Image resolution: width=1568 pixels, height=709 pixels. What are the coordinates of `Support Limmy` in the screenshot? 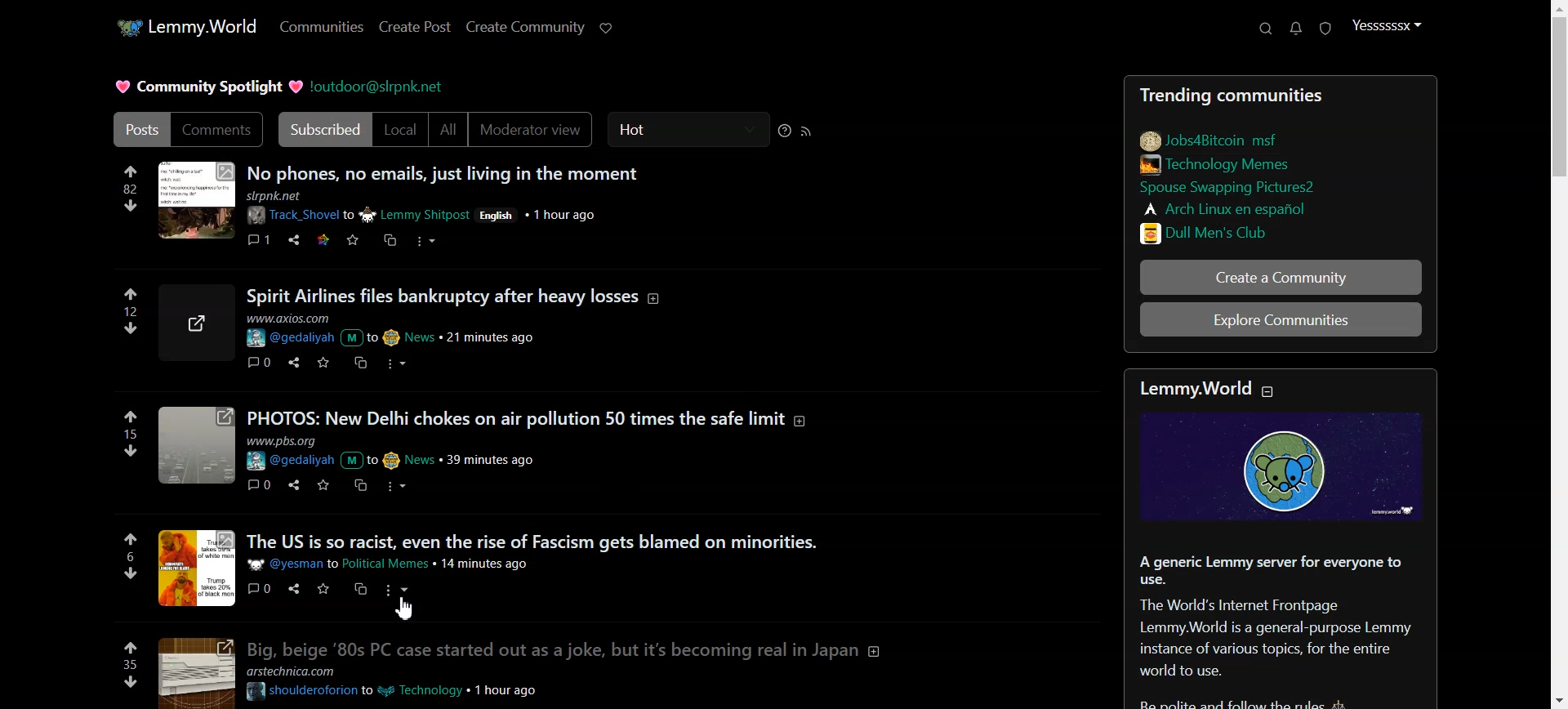 It's located at (607, 28).